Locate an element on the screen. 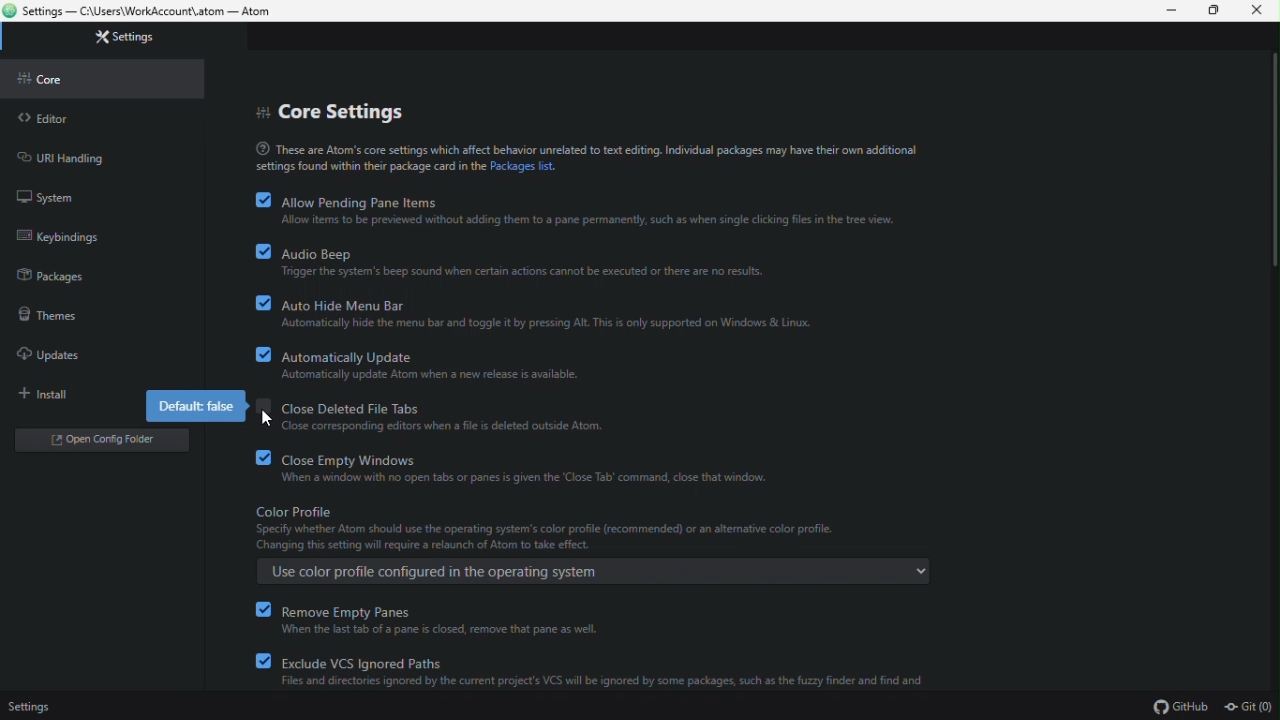 The image size is (1280, 720). checkbox is located at coordinates (262, 250).